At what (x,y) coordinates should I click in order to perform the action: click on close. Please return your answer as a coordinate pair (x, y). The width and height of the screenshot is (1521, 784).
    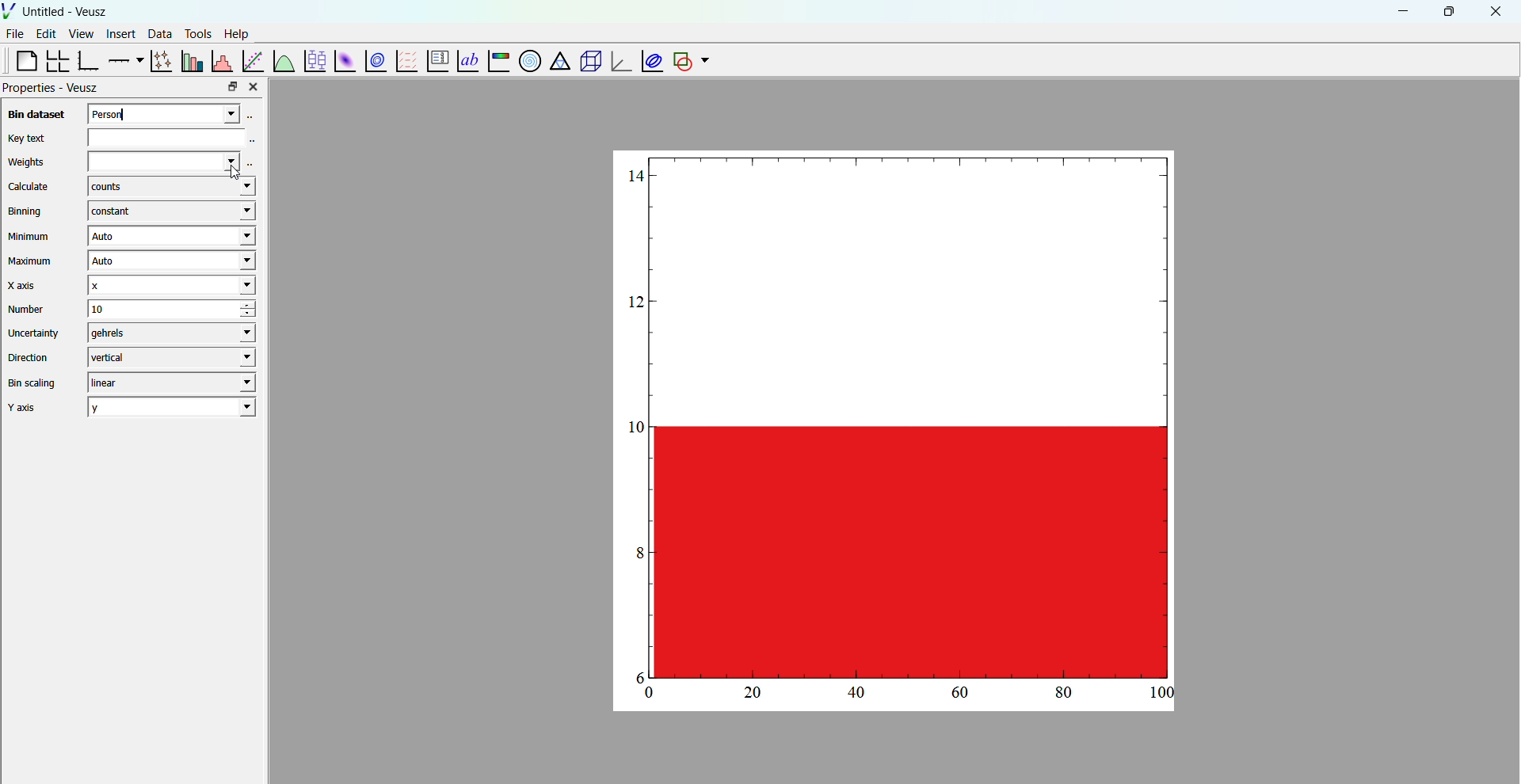
    Looking at the image, I should click on (1496, 12).